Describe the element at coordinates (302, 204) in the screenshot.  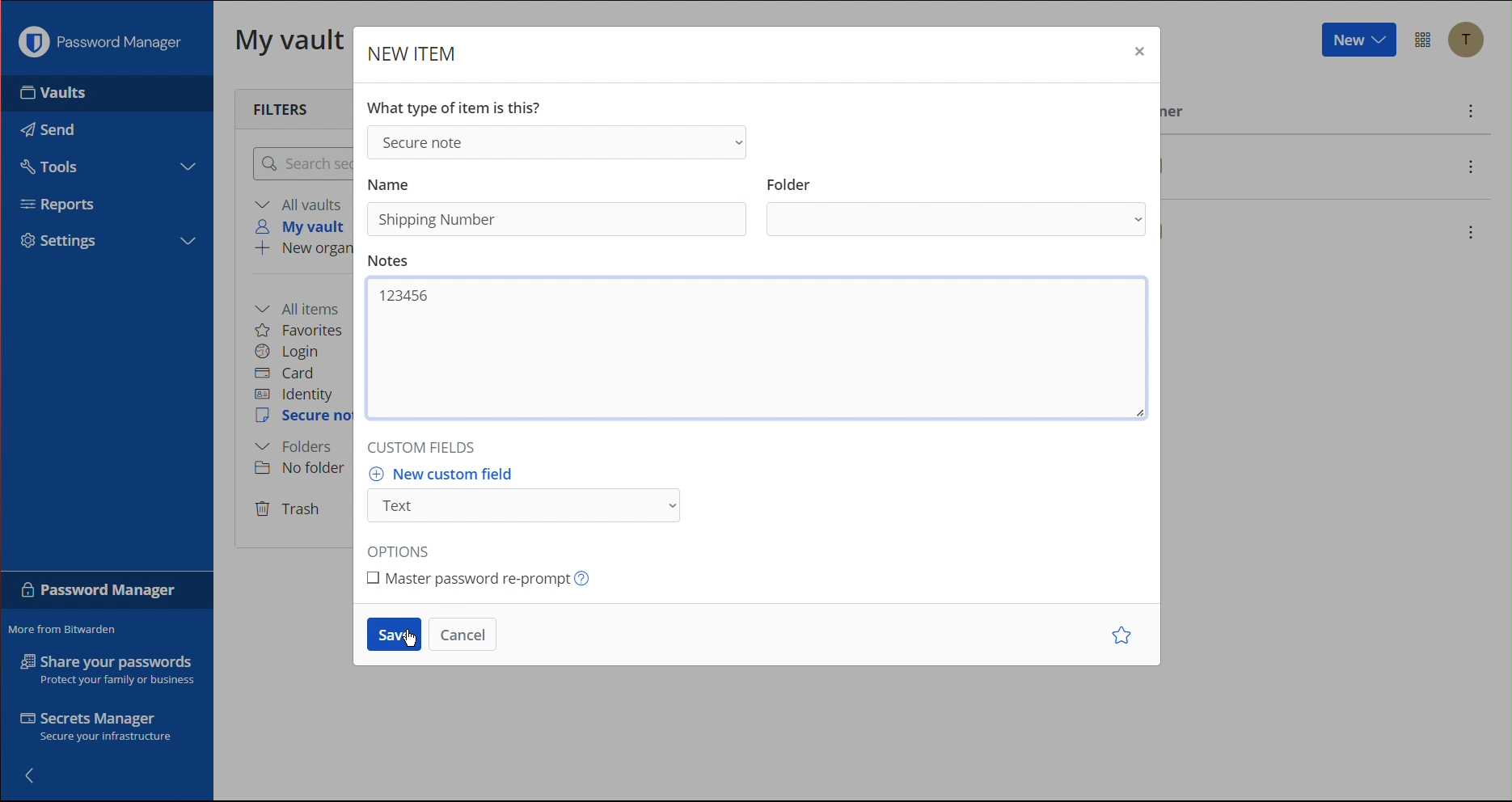
I see `All vaults` at that location.